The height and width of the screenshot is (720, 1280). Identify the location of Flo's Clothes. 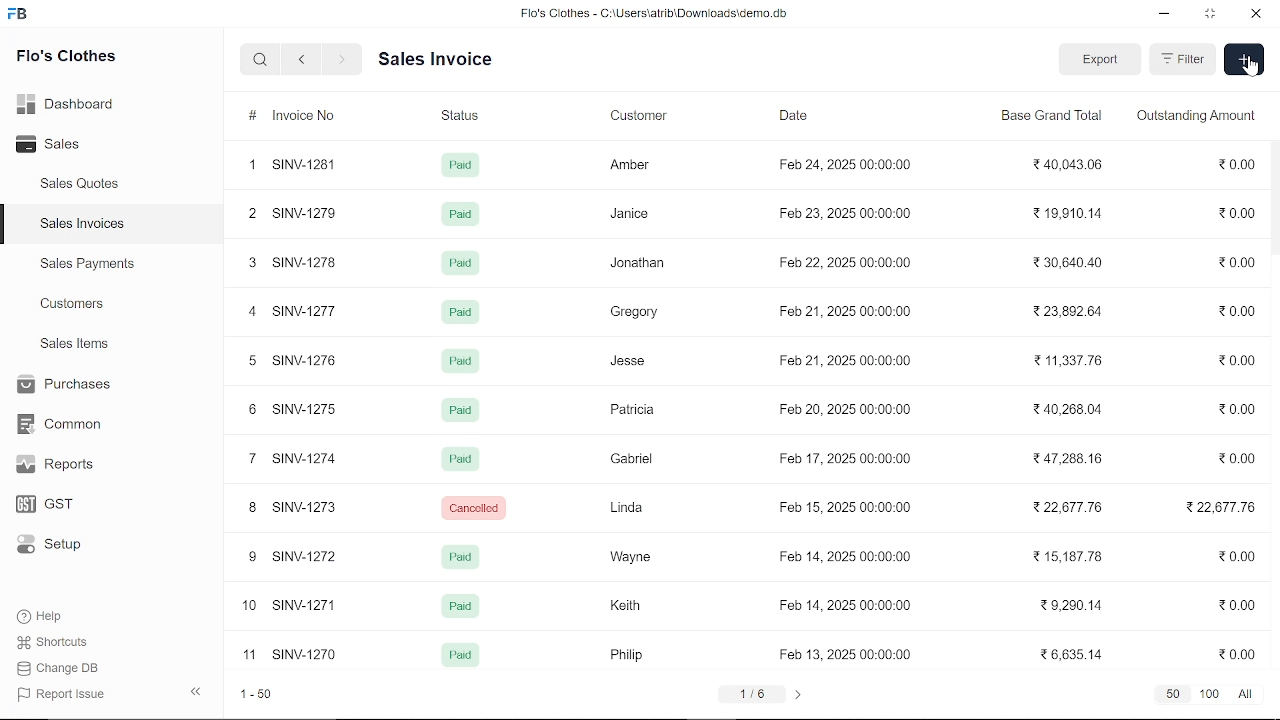
(64, 59).